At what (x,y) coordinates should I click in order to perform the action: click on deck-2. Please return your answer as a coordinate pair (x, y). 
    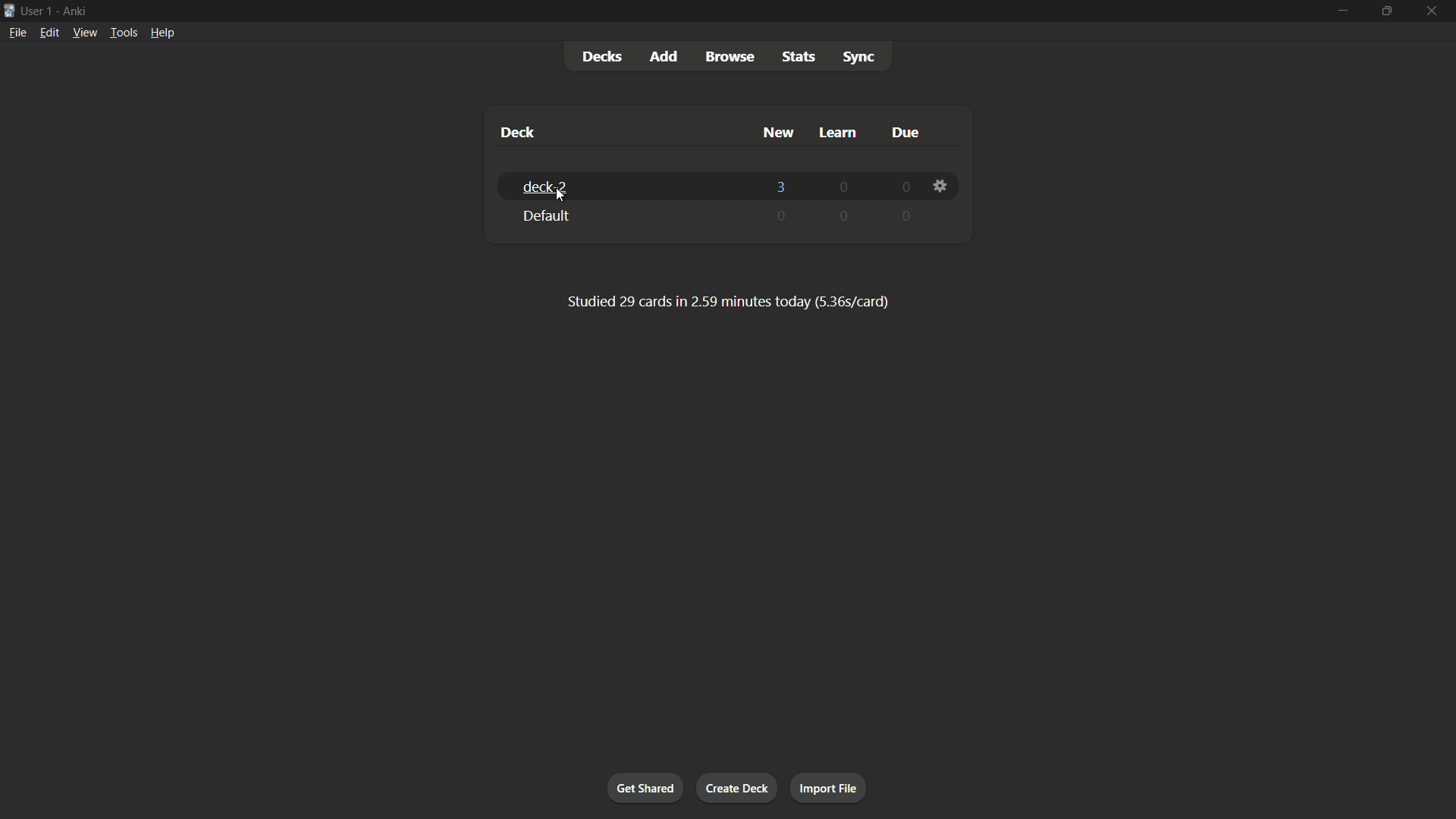
    Looking at the image, I should click on (545, 188).